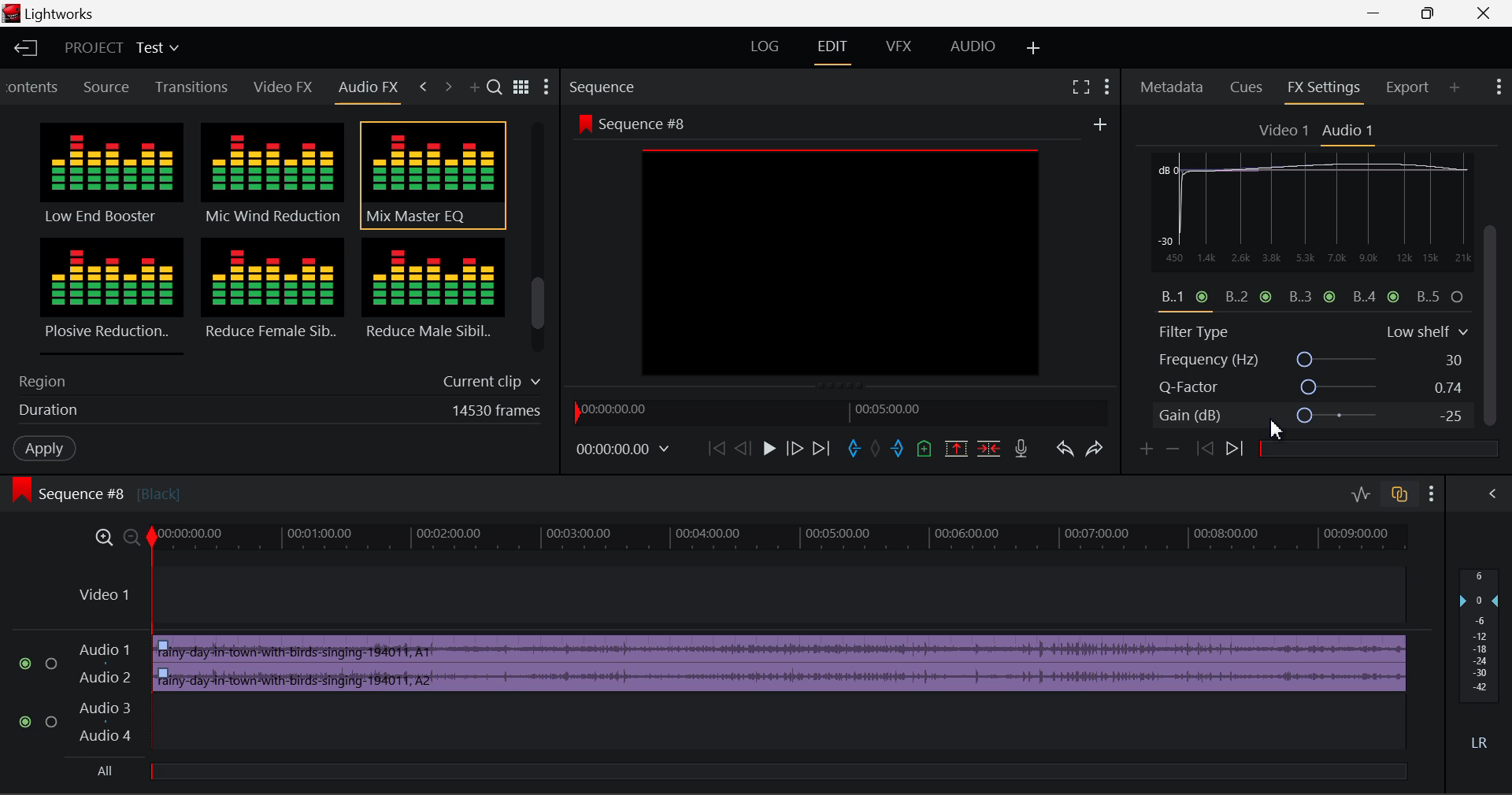  I want to click on Reduce Male Sibilance, so click(432, 294).